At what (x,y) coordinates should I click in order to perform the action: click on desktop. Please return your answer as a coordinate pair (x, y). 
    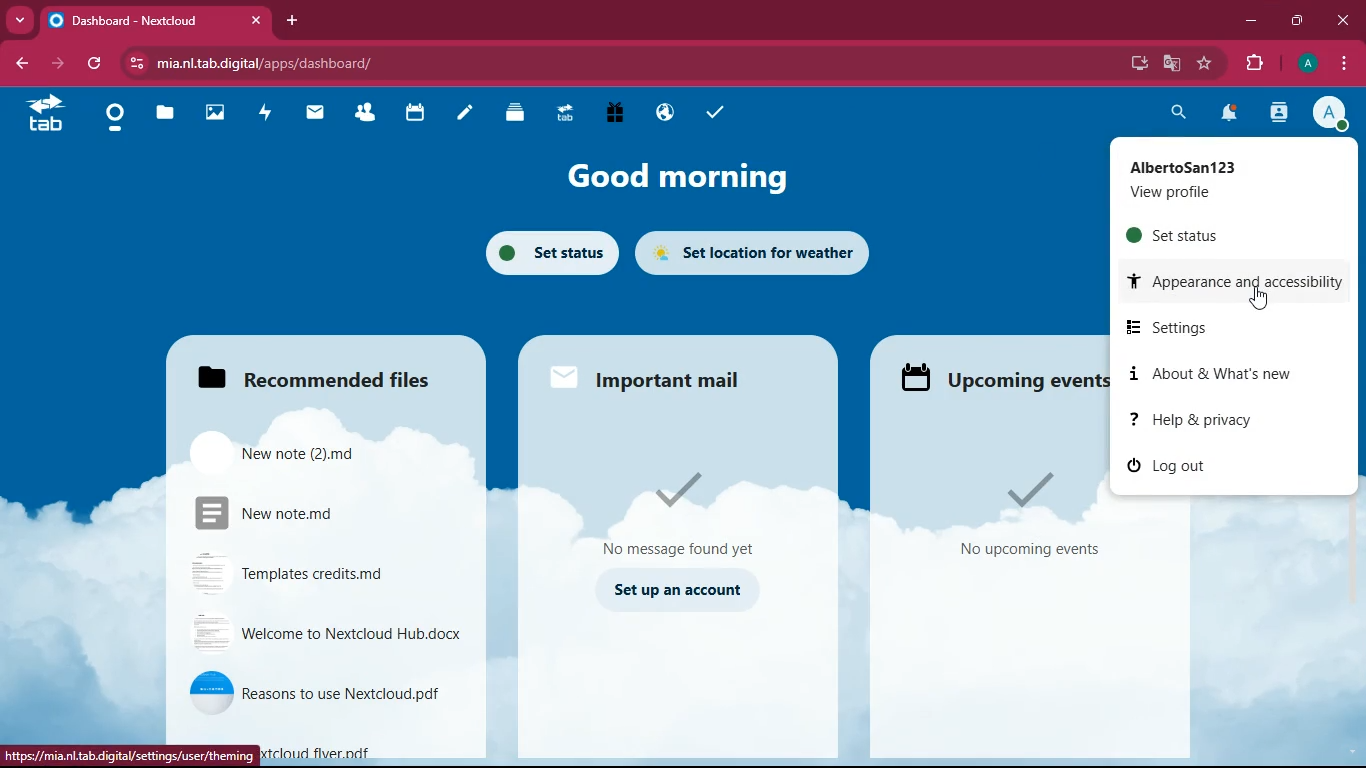
    Looking at the image, I should click on (1140, 62).